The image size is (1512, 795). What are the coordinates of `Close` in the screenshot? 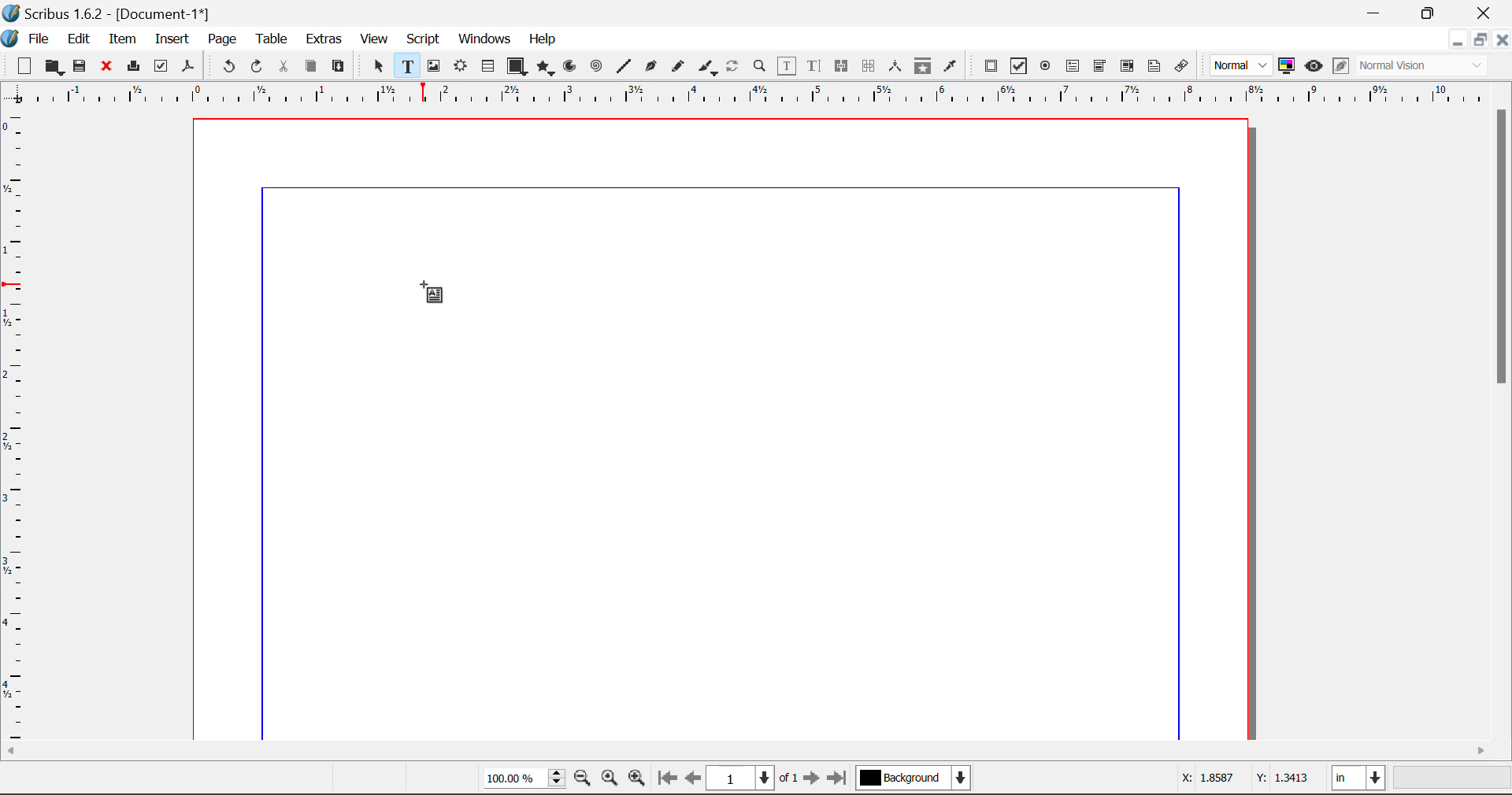 It's located at (1503, 39).